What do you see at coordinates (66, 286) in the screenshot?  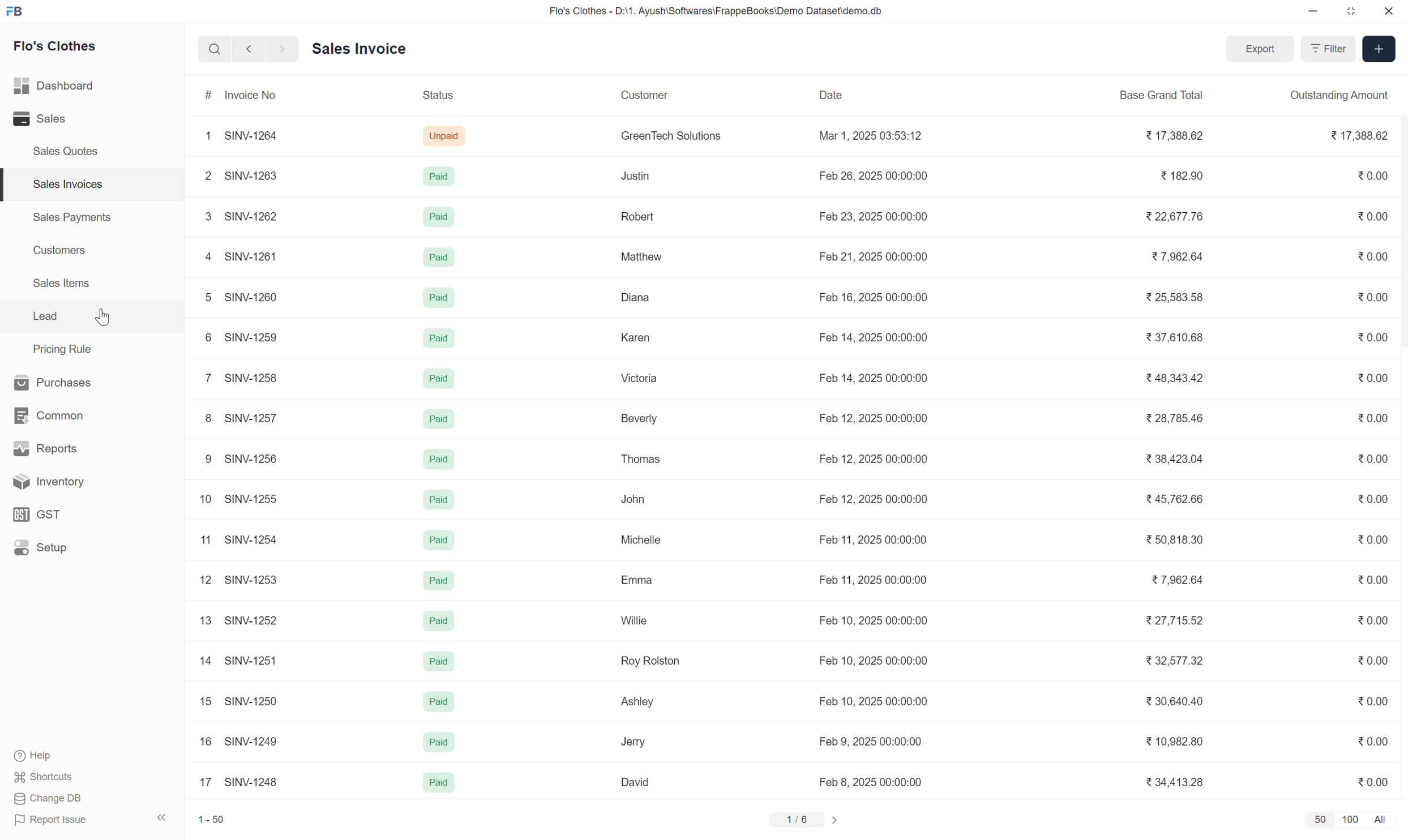 I see `Sales Items` at bounding box center [66, 286].